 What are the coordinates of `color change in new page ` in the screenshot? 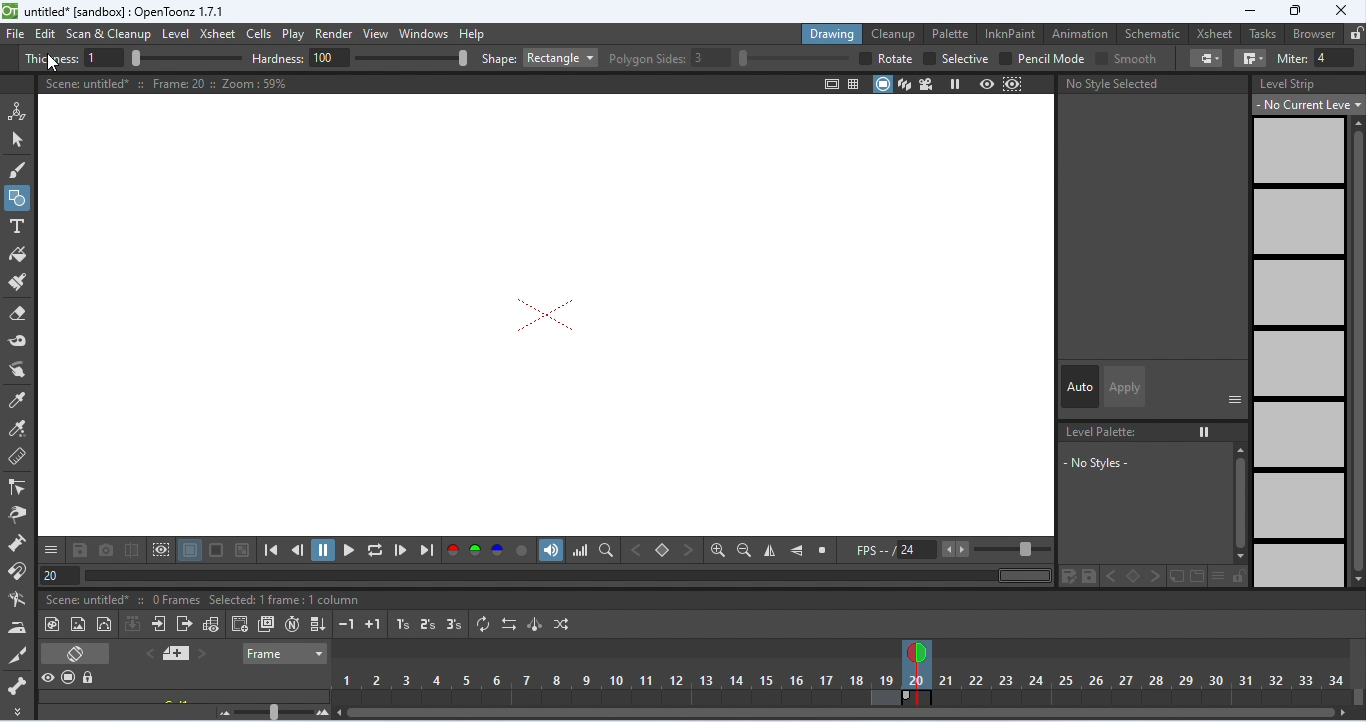 It's located at (1196, 576).